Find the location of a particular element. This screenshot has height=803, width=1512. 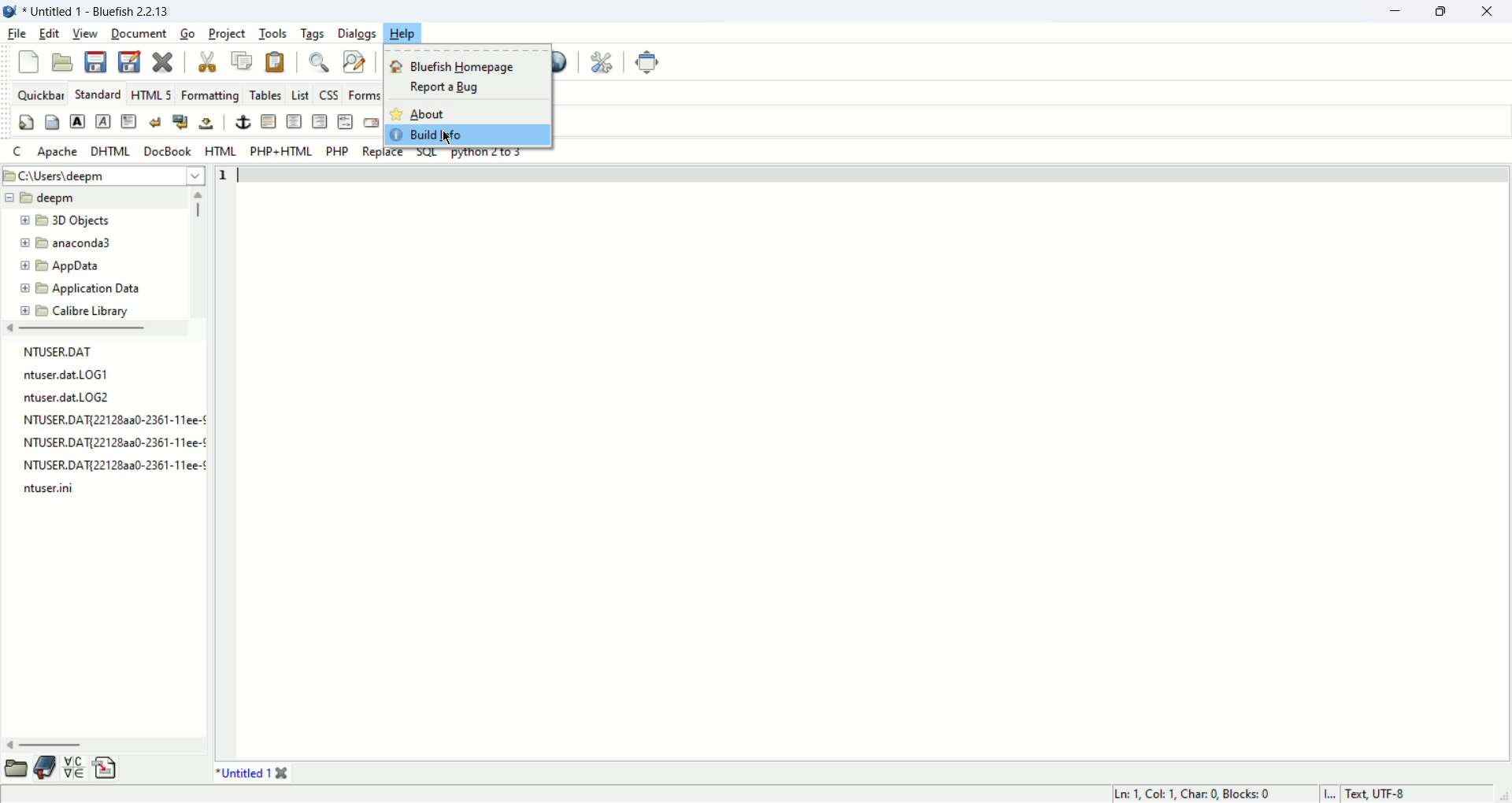

HTML is located at coordinates (220, 151).